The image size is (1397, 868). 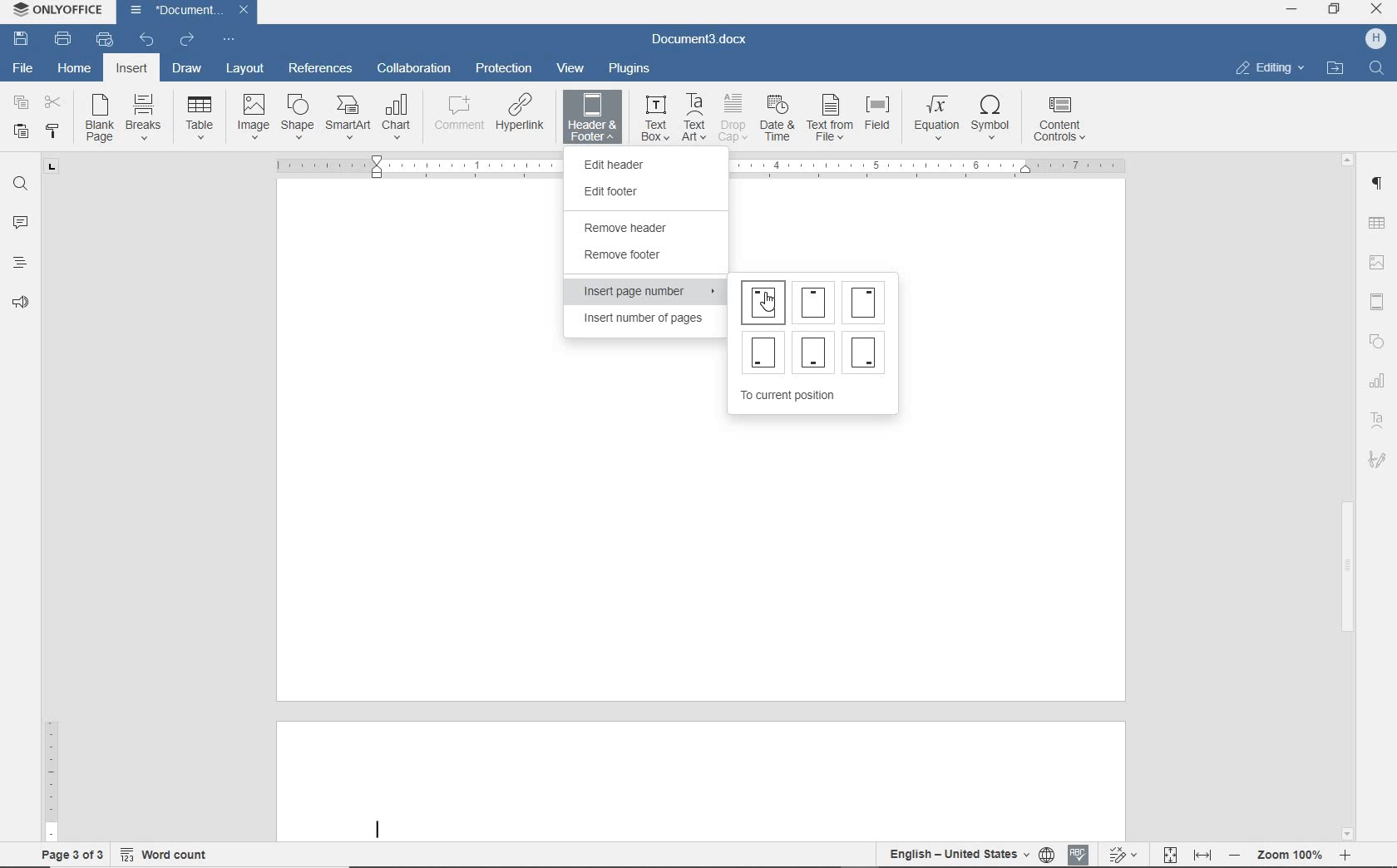 What do you see at coordinates (53, 172) in the screenshot?
I see `Tab stop` at bounding box center [53, 172].